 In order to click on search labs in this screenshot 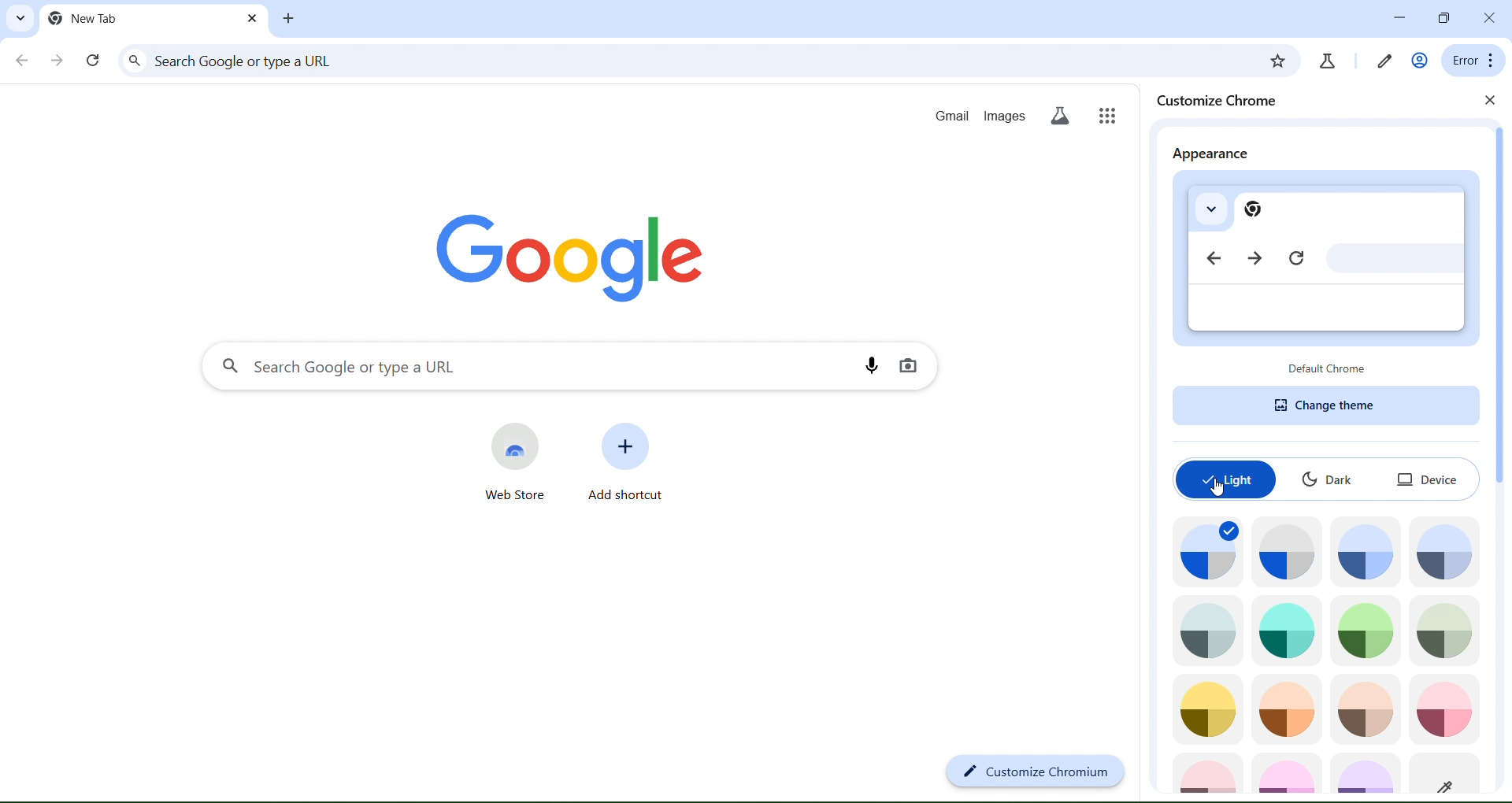, I will do `click(1062, 115)`.